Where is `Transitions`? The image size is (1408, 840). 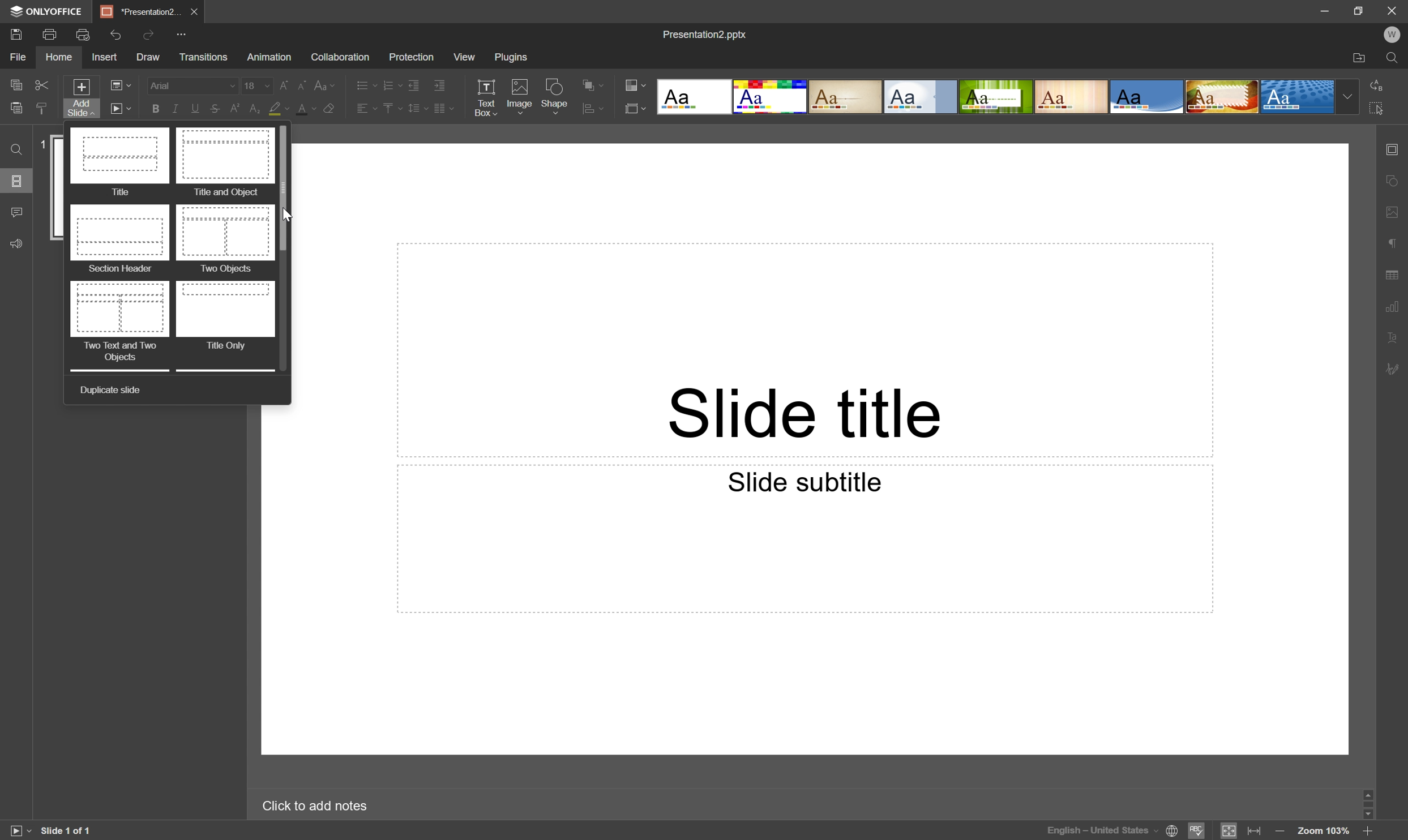 Transitions is located at coordinates (203, 58).